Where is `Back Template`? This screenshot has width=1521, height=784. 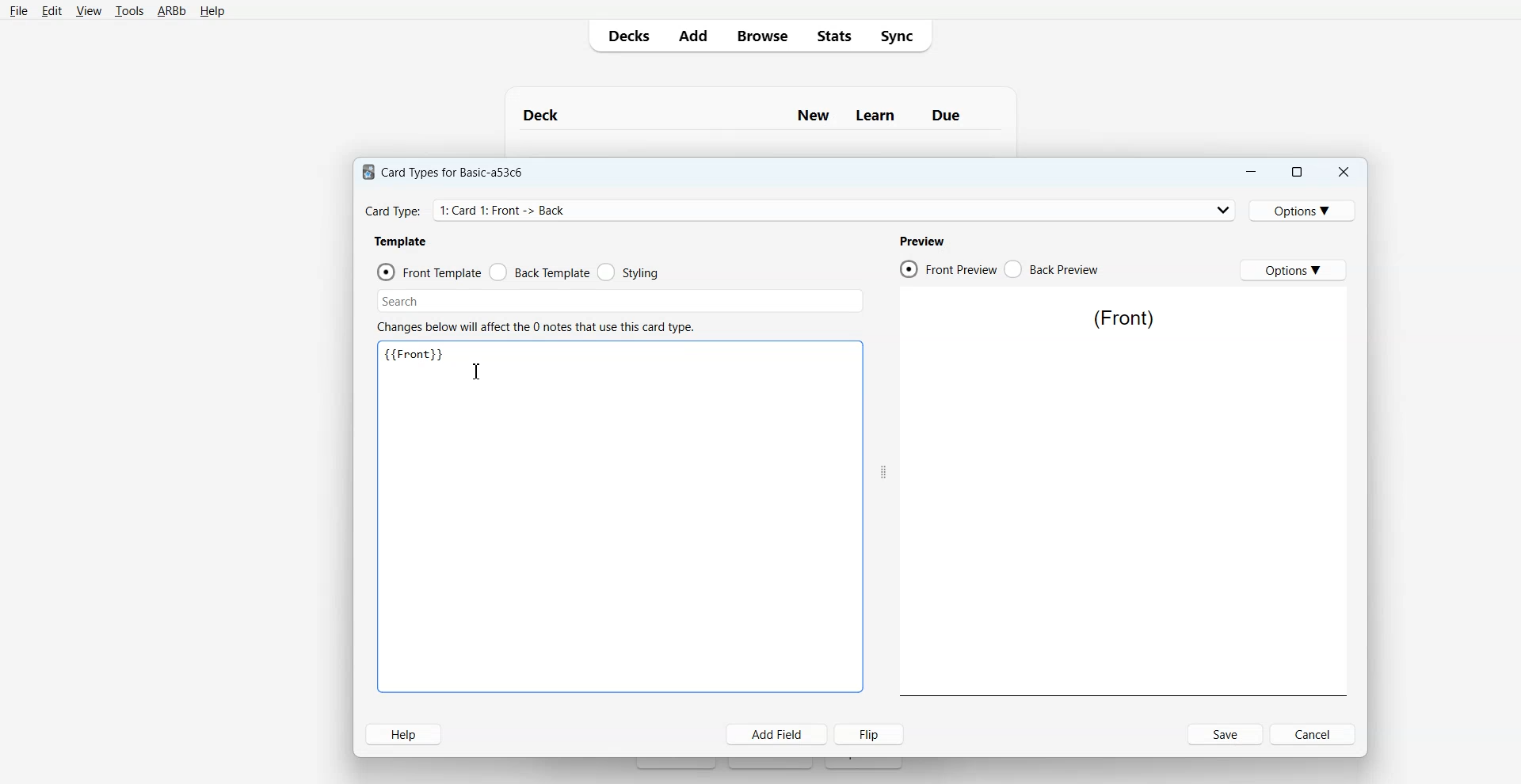 Back Template is located at coordinates (539, 272).